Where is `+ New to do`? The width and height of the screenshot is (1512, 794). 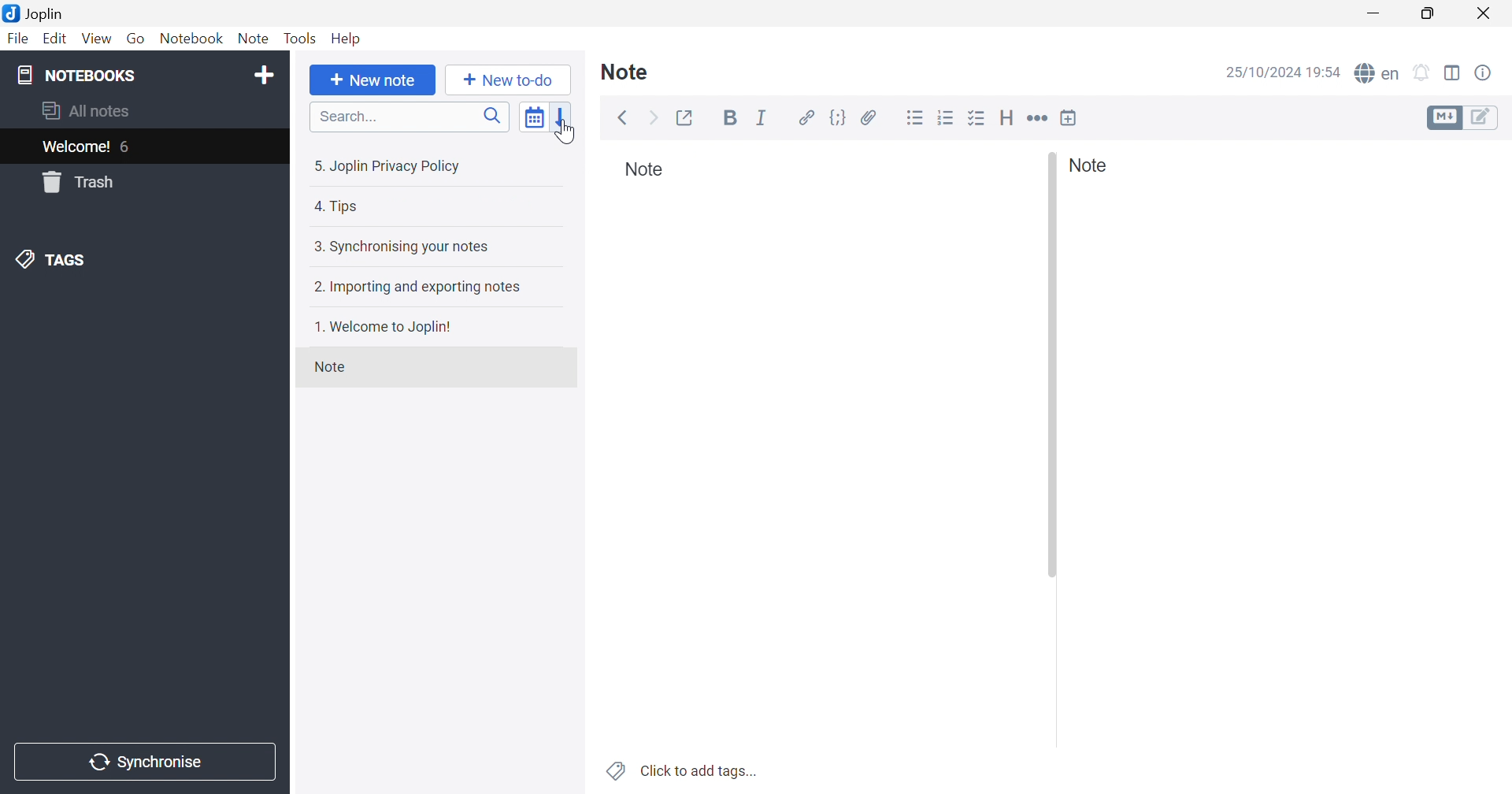
+ New to do is located at coordinates (503, 80).